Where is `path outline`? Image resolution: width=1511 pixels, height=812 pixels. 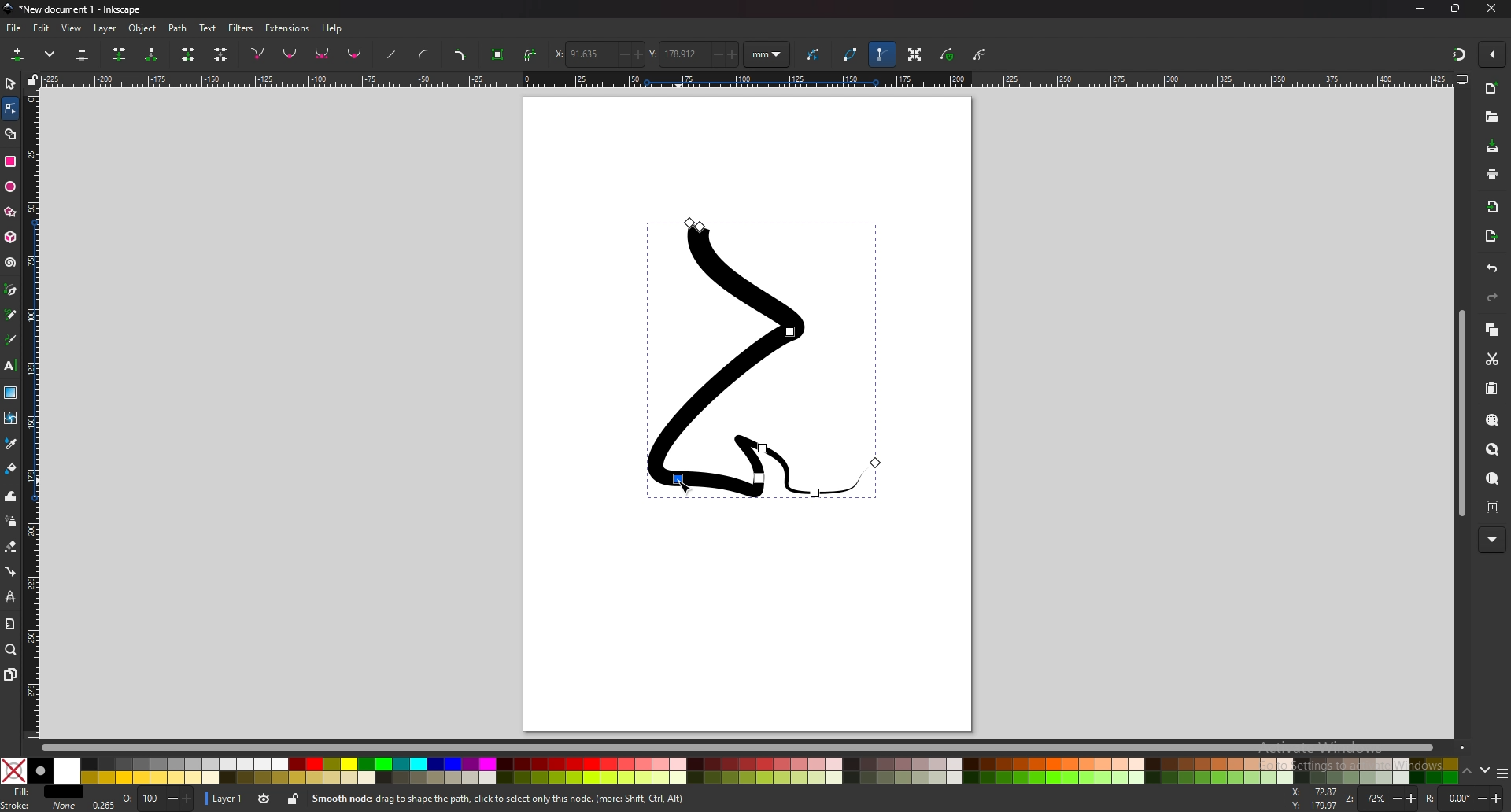 path outline is located at coordinates (852, 54).